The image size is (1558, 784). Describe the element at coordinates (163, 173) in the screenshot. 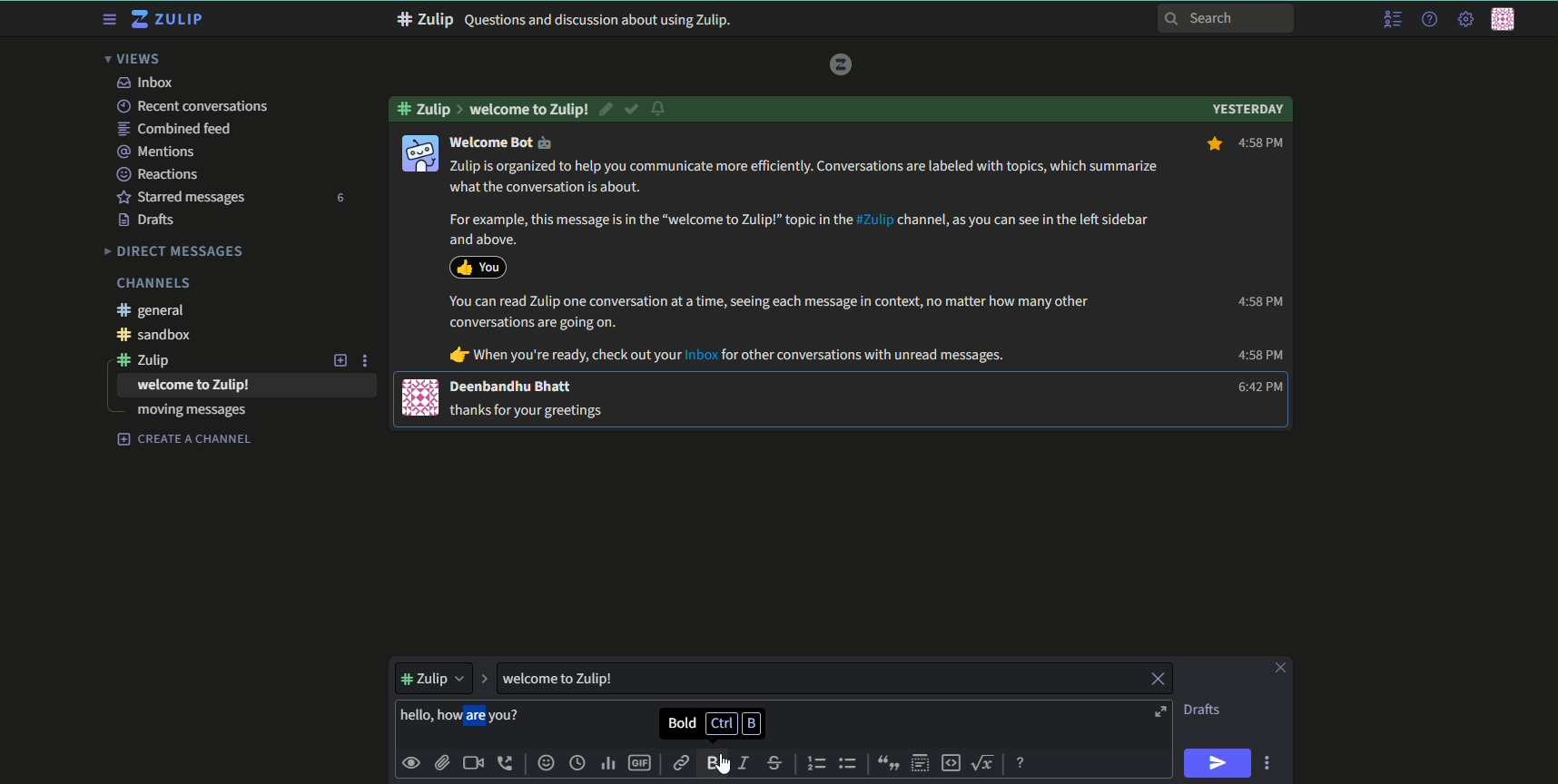

I see `Reactions` at that location.